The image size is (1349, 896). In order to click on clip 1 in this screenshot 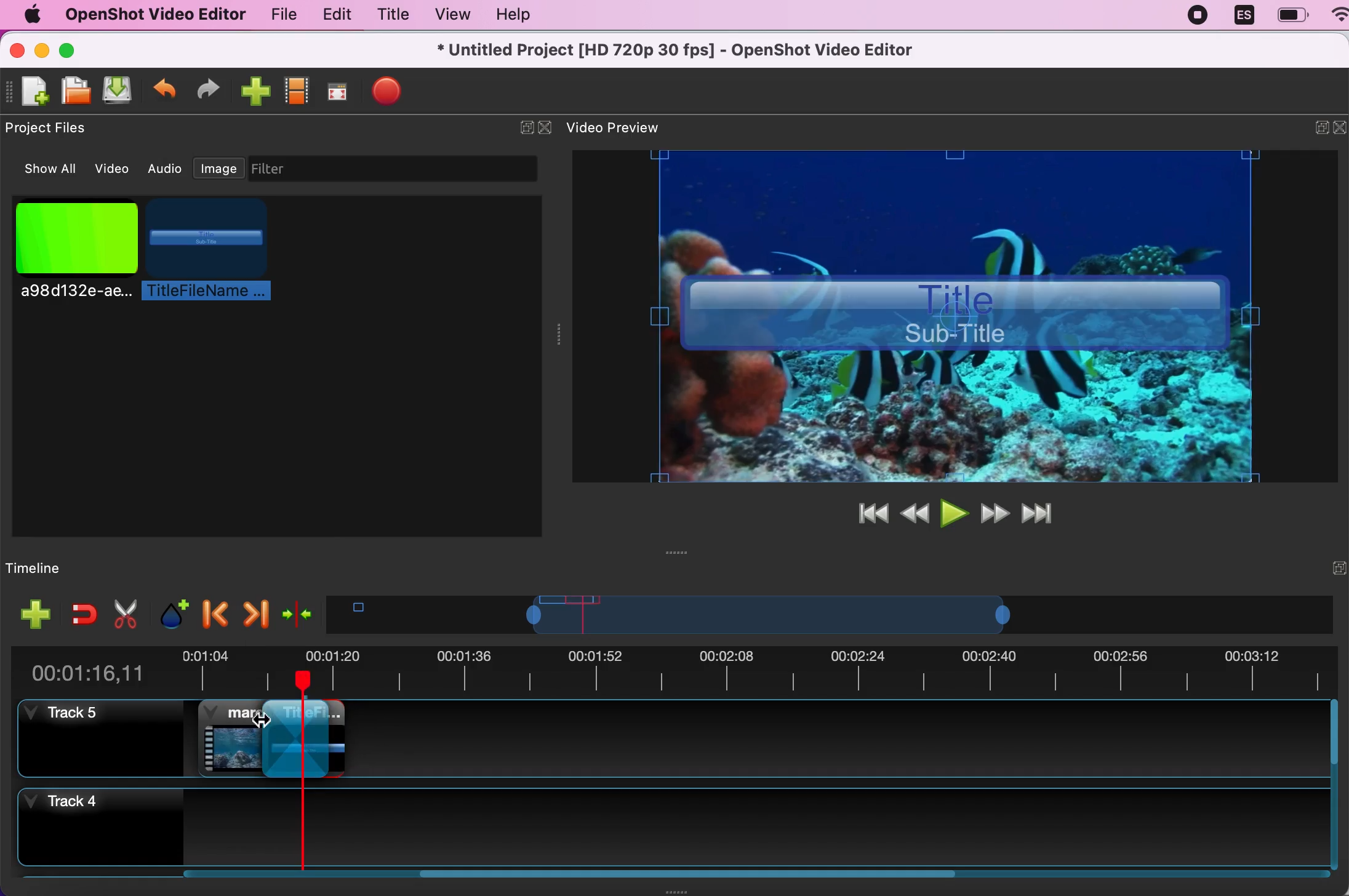, I will do `click(244, 737)`.